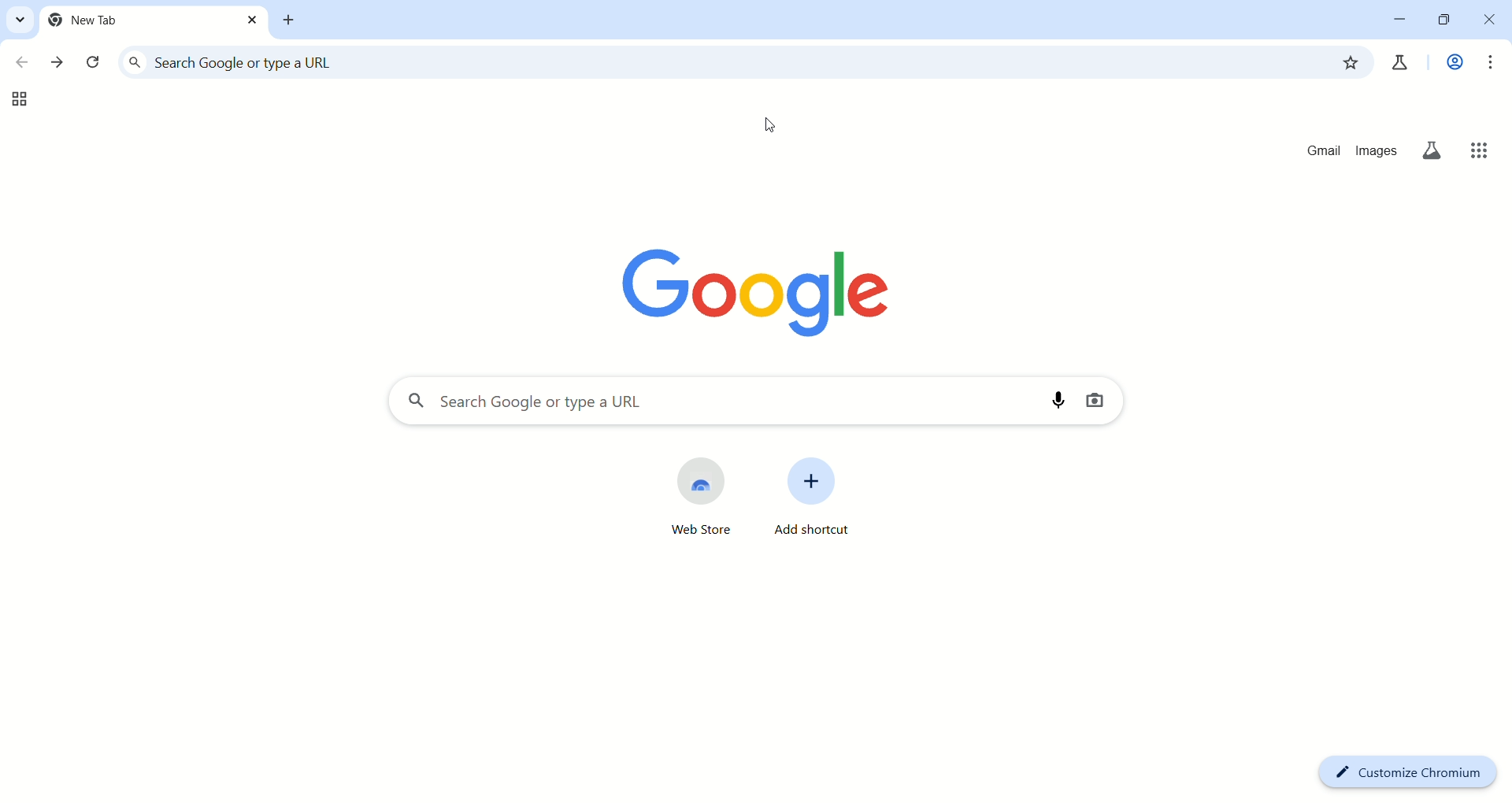 The width and height of the screenshot is (1512, 803). Describe the element at coordinates (1494, 23) in the screenshot. I see `close` at that location.